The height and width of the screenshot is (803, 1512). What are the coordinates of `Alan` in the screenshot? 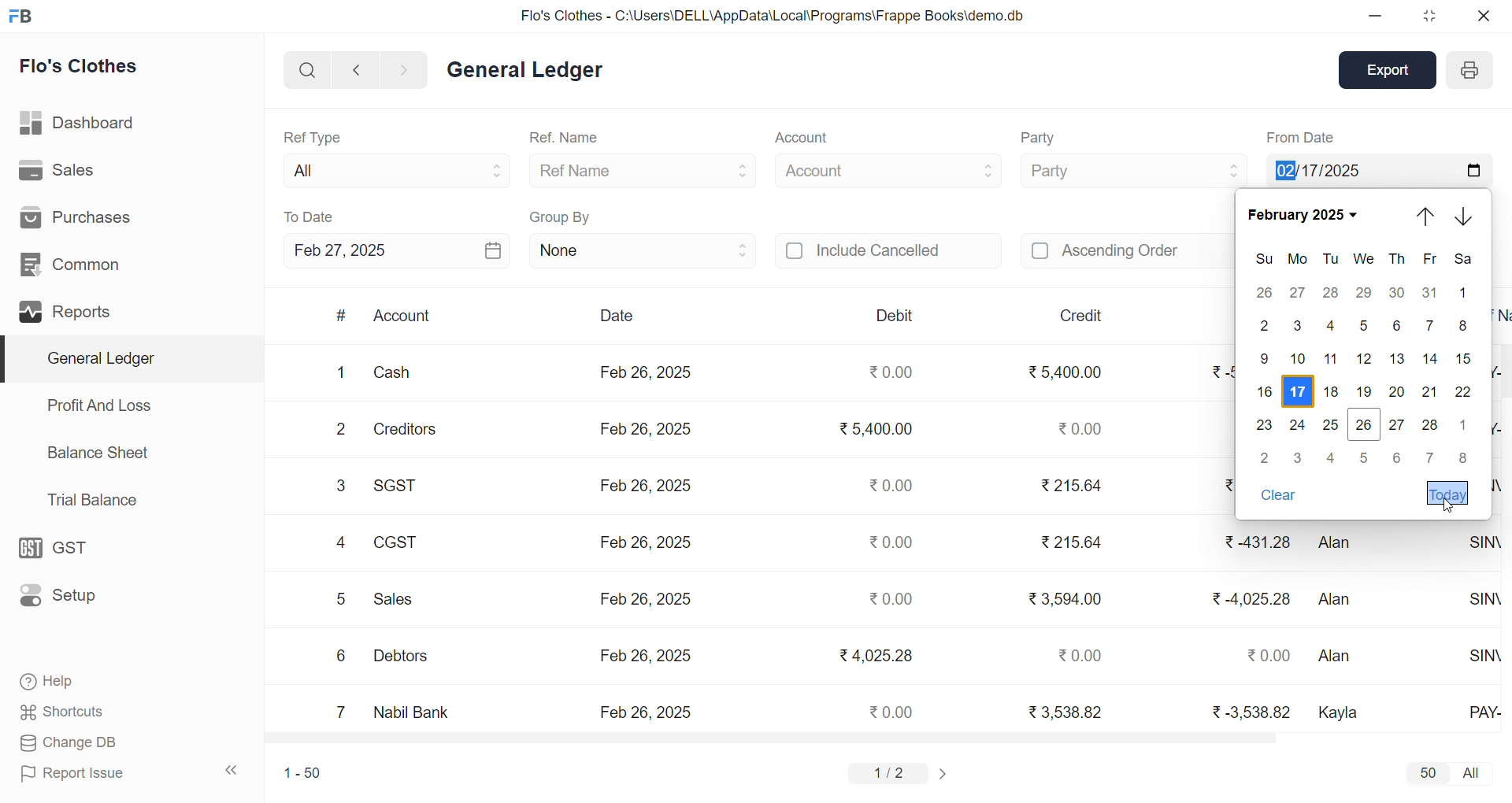 It's located at (1341, 595).